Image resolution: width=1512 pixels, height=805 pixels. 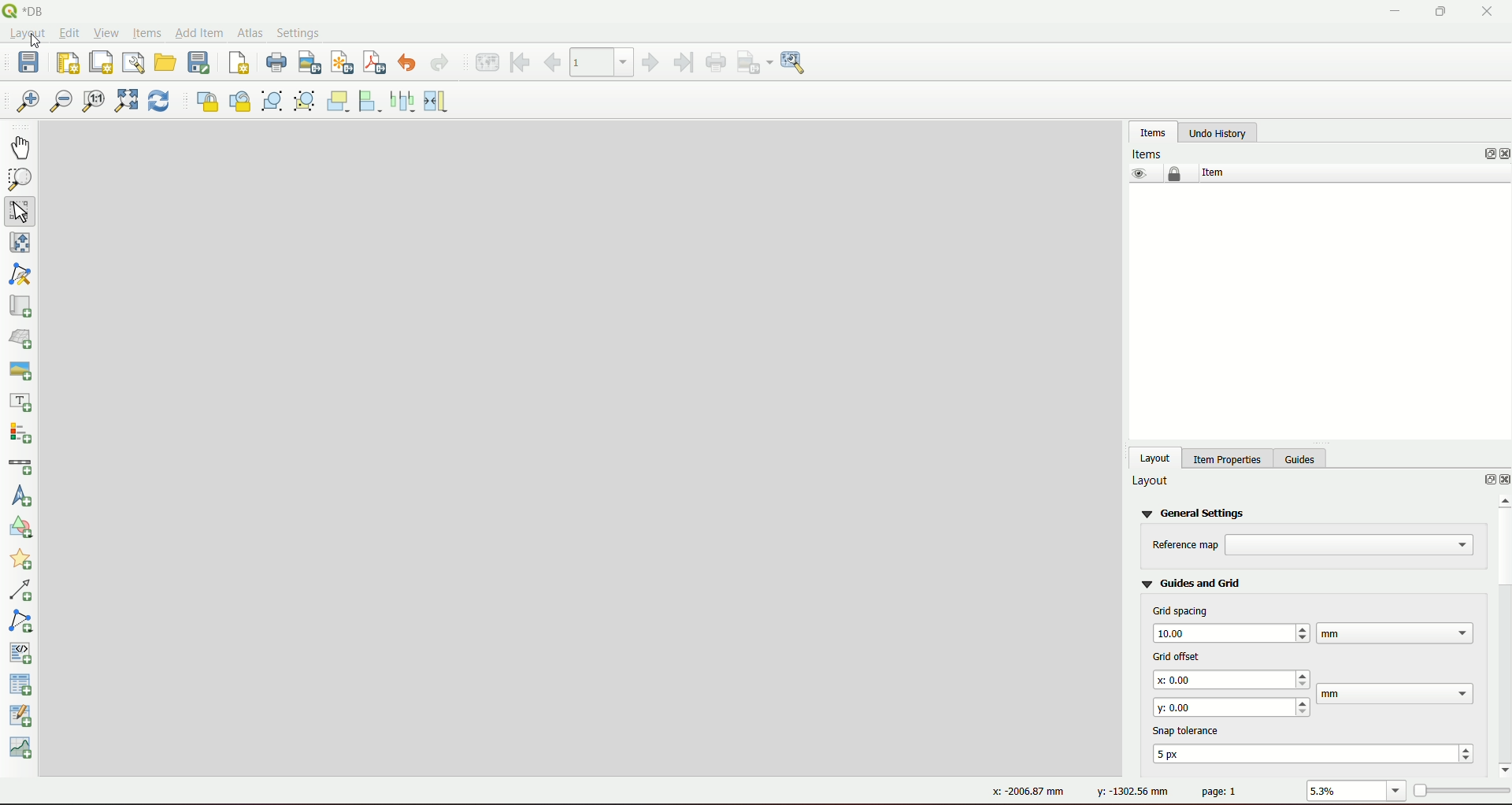 I want to click on Items, so click(x=146, y=34).